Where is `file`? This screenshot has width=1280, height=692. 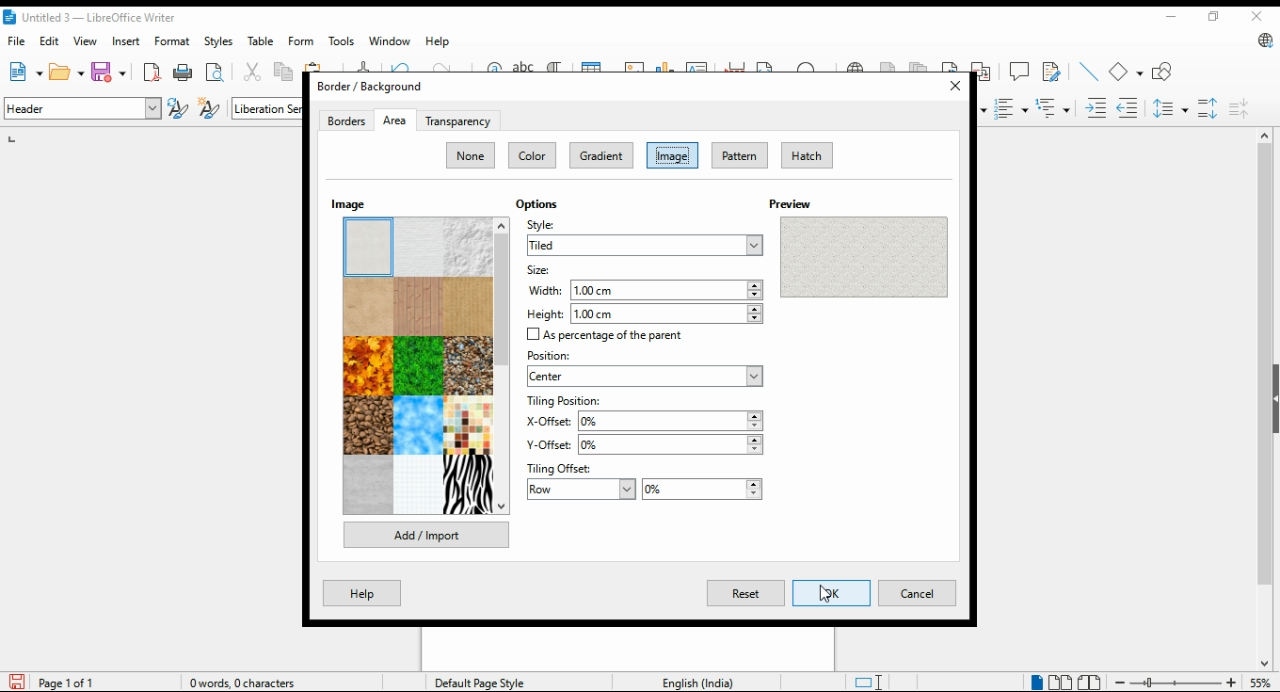
file is located at coordinates (17, 41).